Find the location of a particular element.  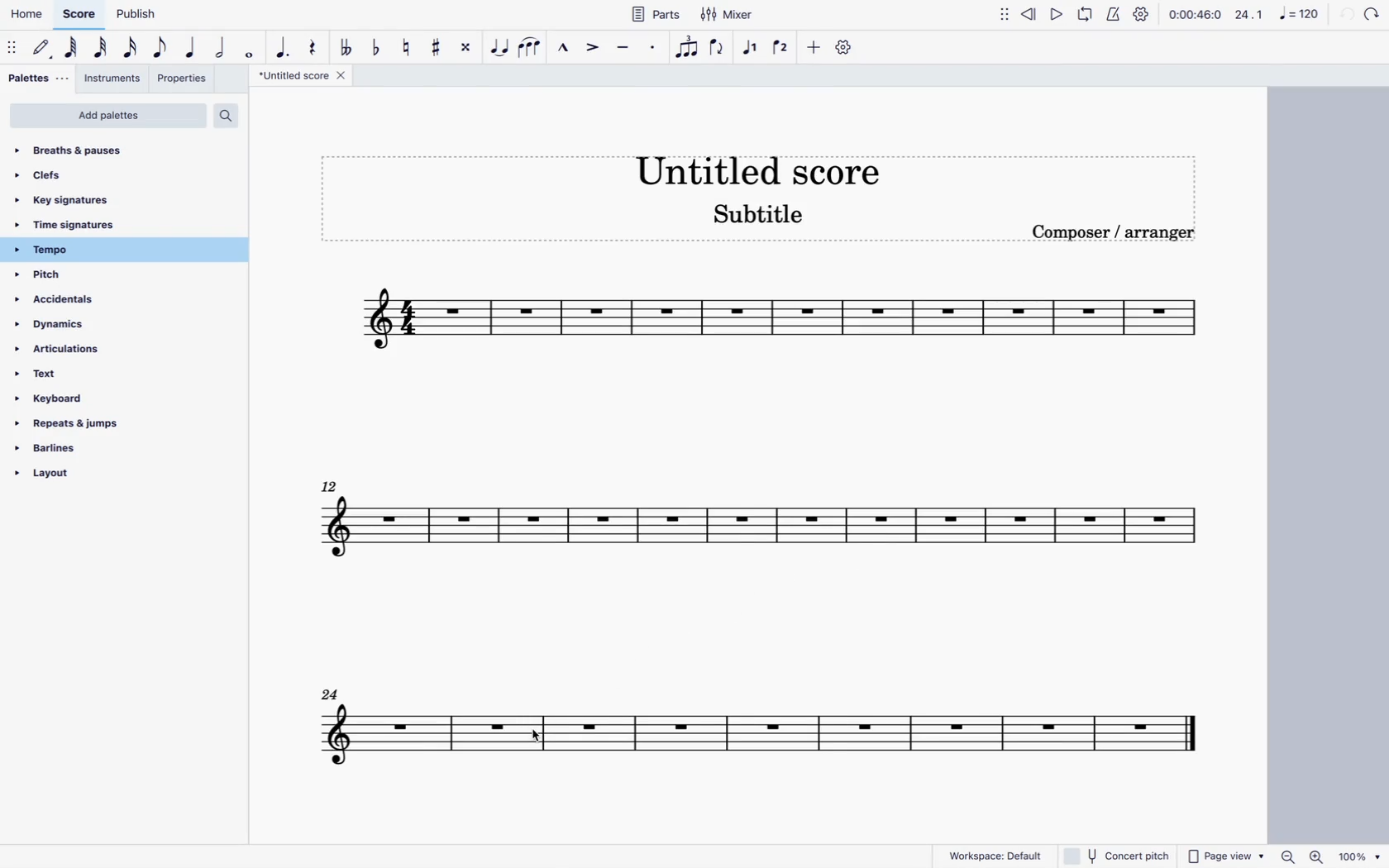

loop playback is located at coordinates (1086, 16).